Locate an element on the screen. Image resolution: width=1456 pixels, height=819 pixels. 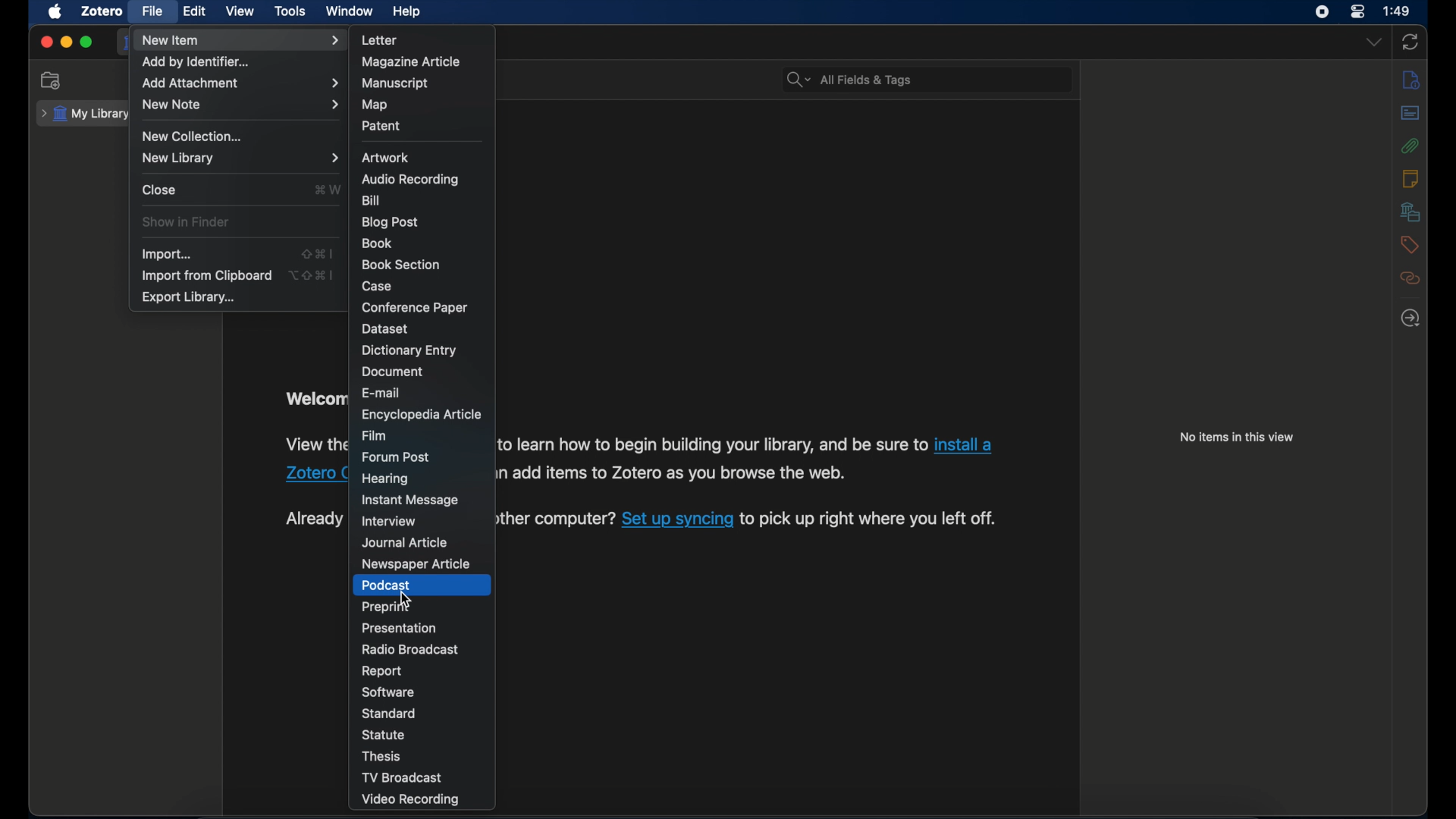
bill is located at coordinates (373, 201).